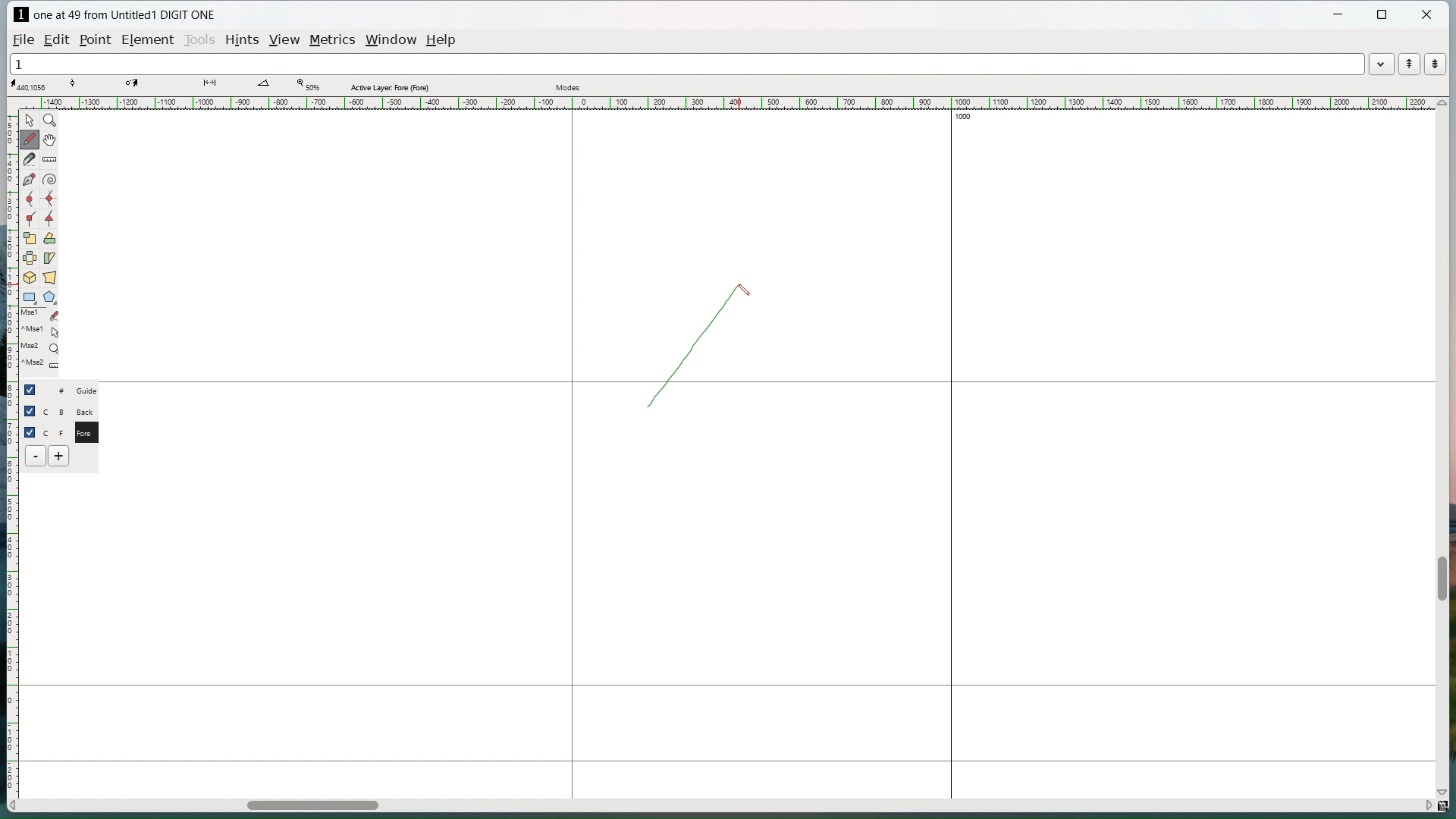 The image size is (1456, 819). I want to click on scroll down, so click(1446, 789).